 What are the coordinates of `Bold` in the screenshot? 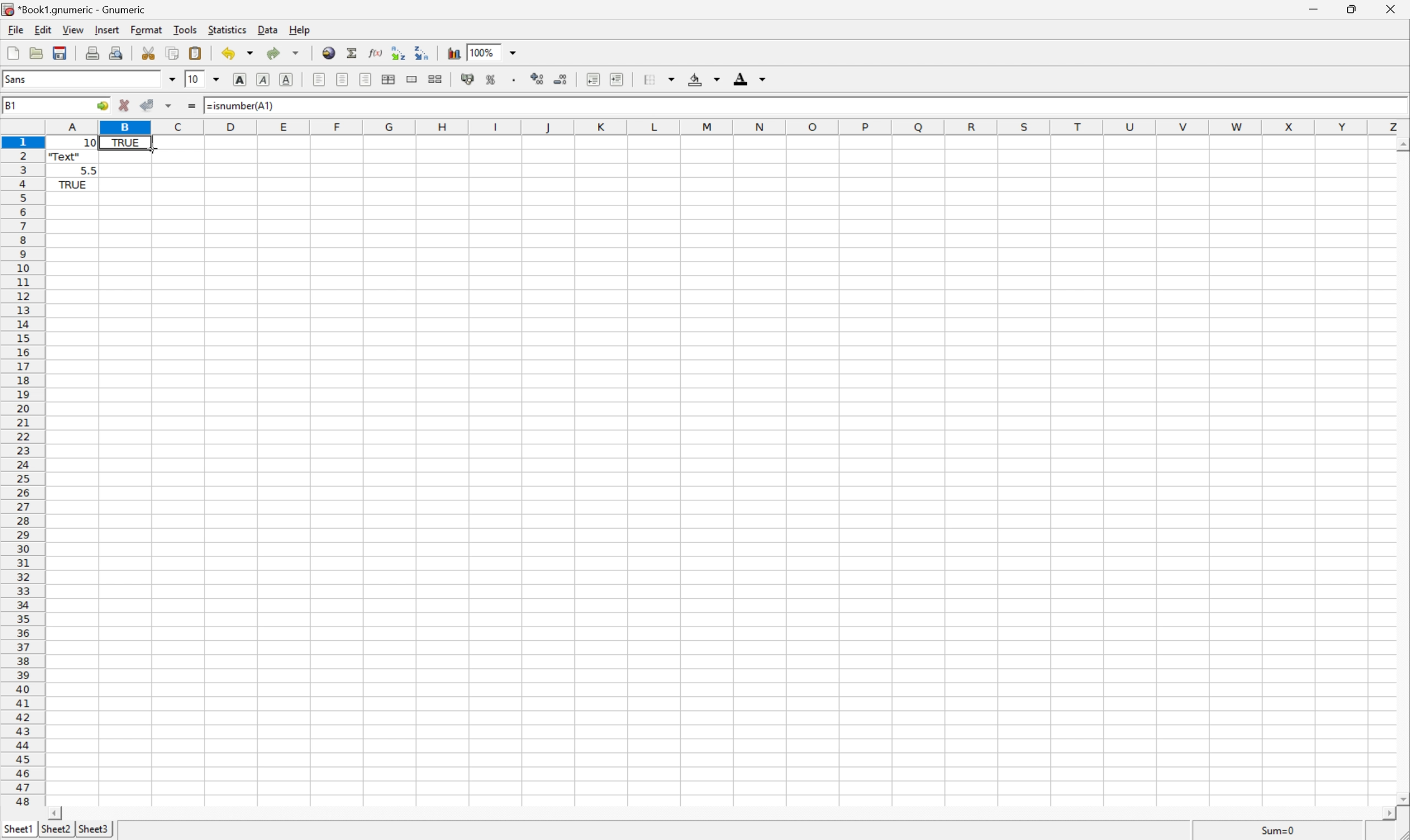 It's located at (241, 79).